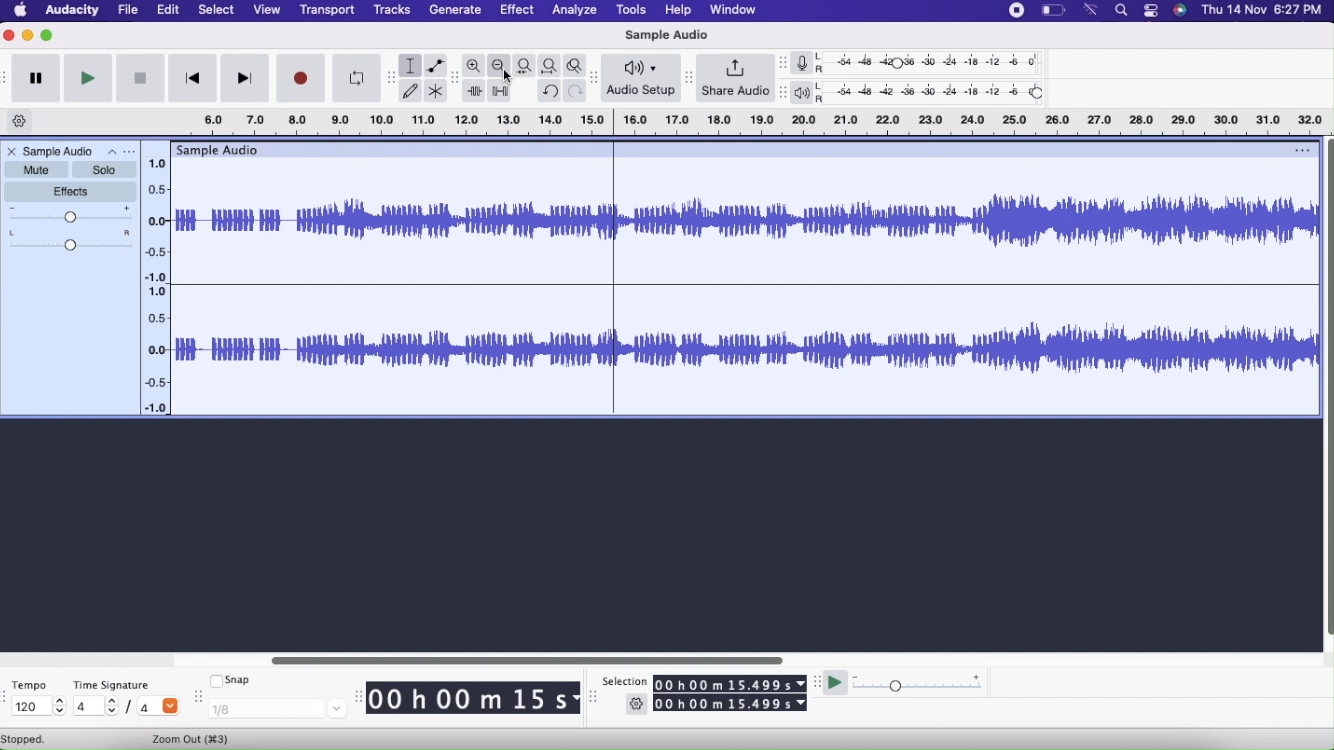 The height and width of the screenshot is (750, 1334). Describe the element at coordinates (36, 79) in the screenshot. I see `Pause` at that location.